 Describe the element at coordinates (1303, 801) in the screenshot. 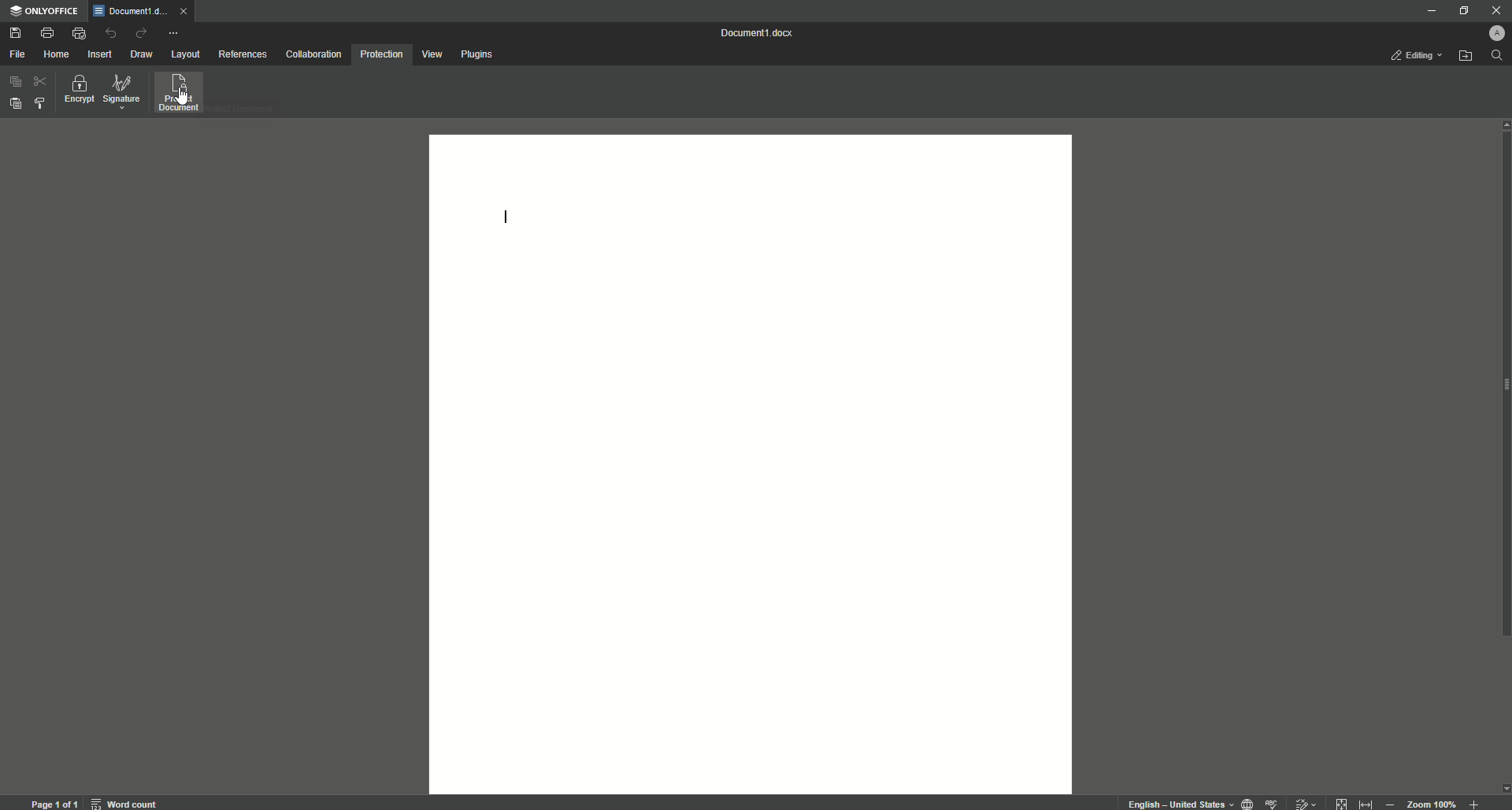

I see `track changes` at that location.